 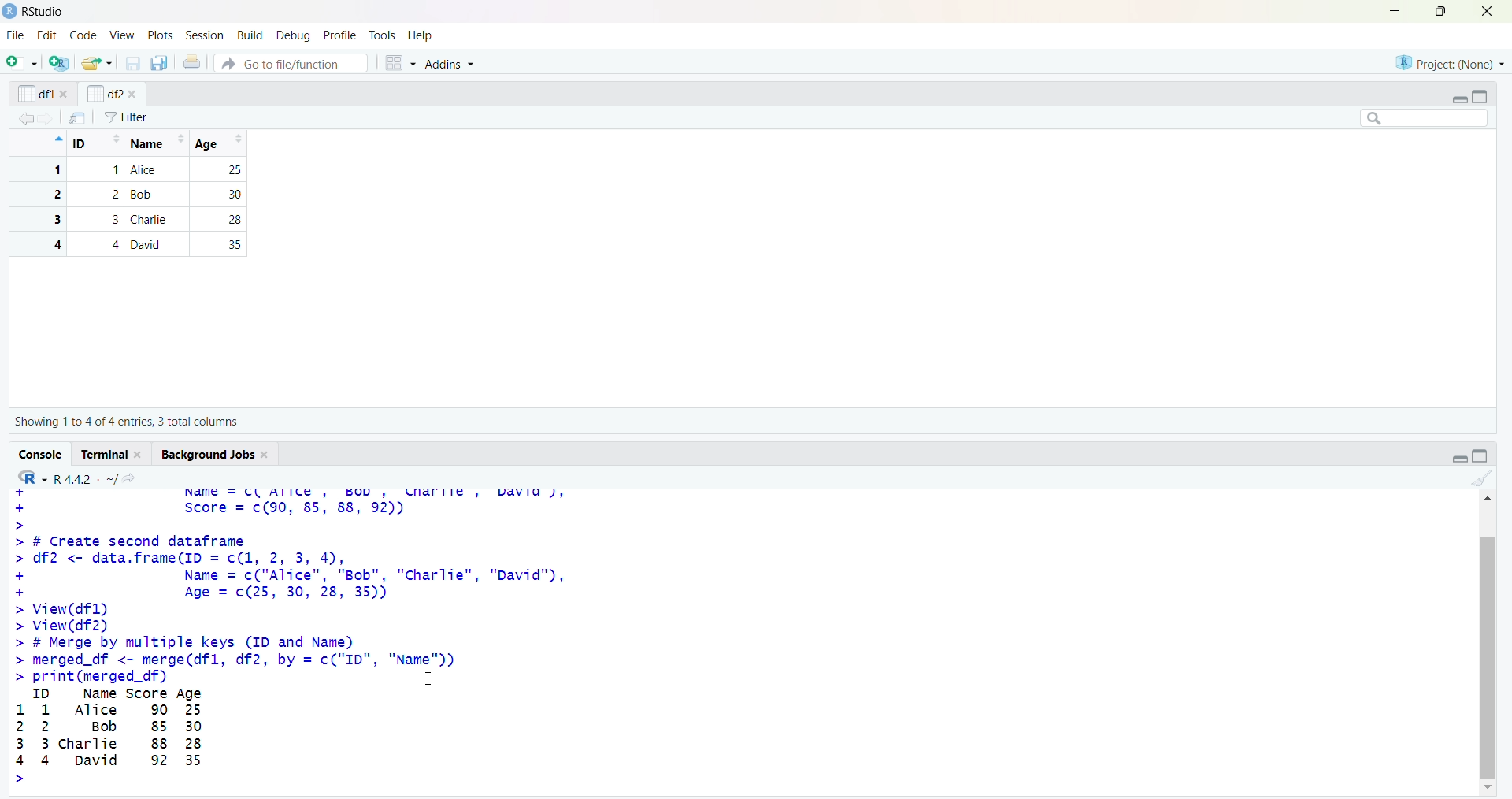 What do you see at coordinates (140, 455) in the screenshot?
I see `close` at bounding box center [140, 455].